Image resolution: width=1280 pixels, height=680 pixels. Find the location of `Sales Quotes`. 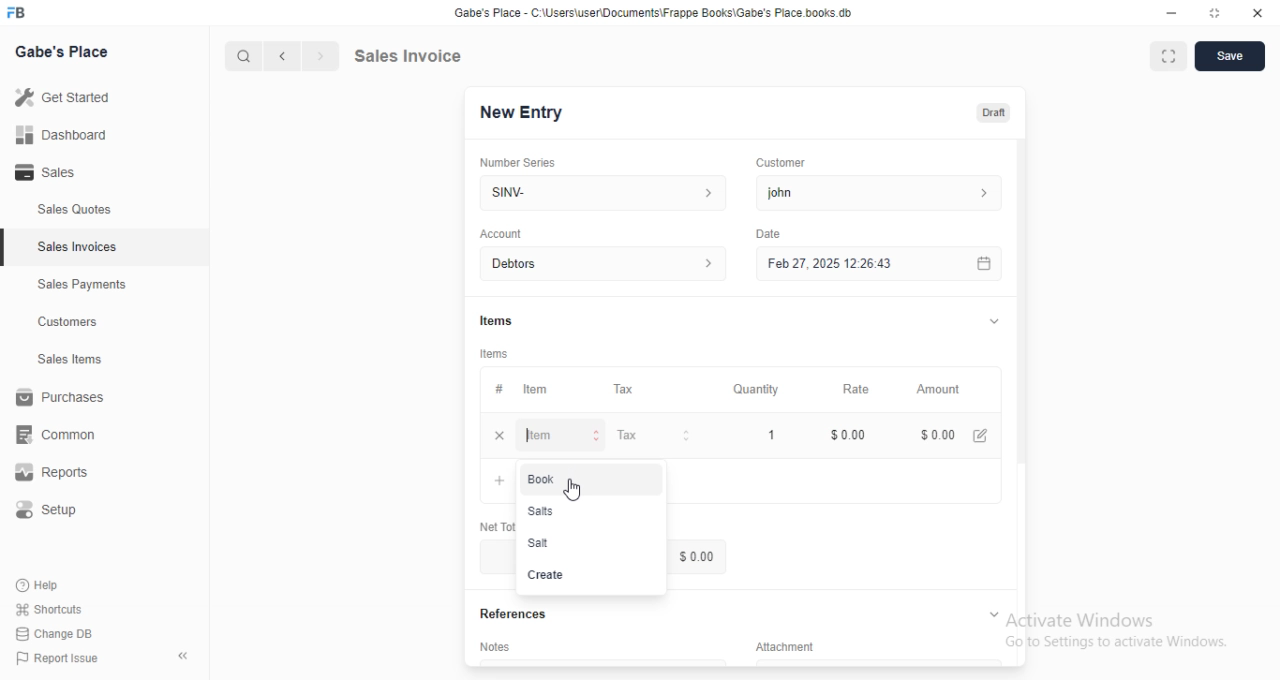

Sales Quotes is located at coordinates (74, 212).